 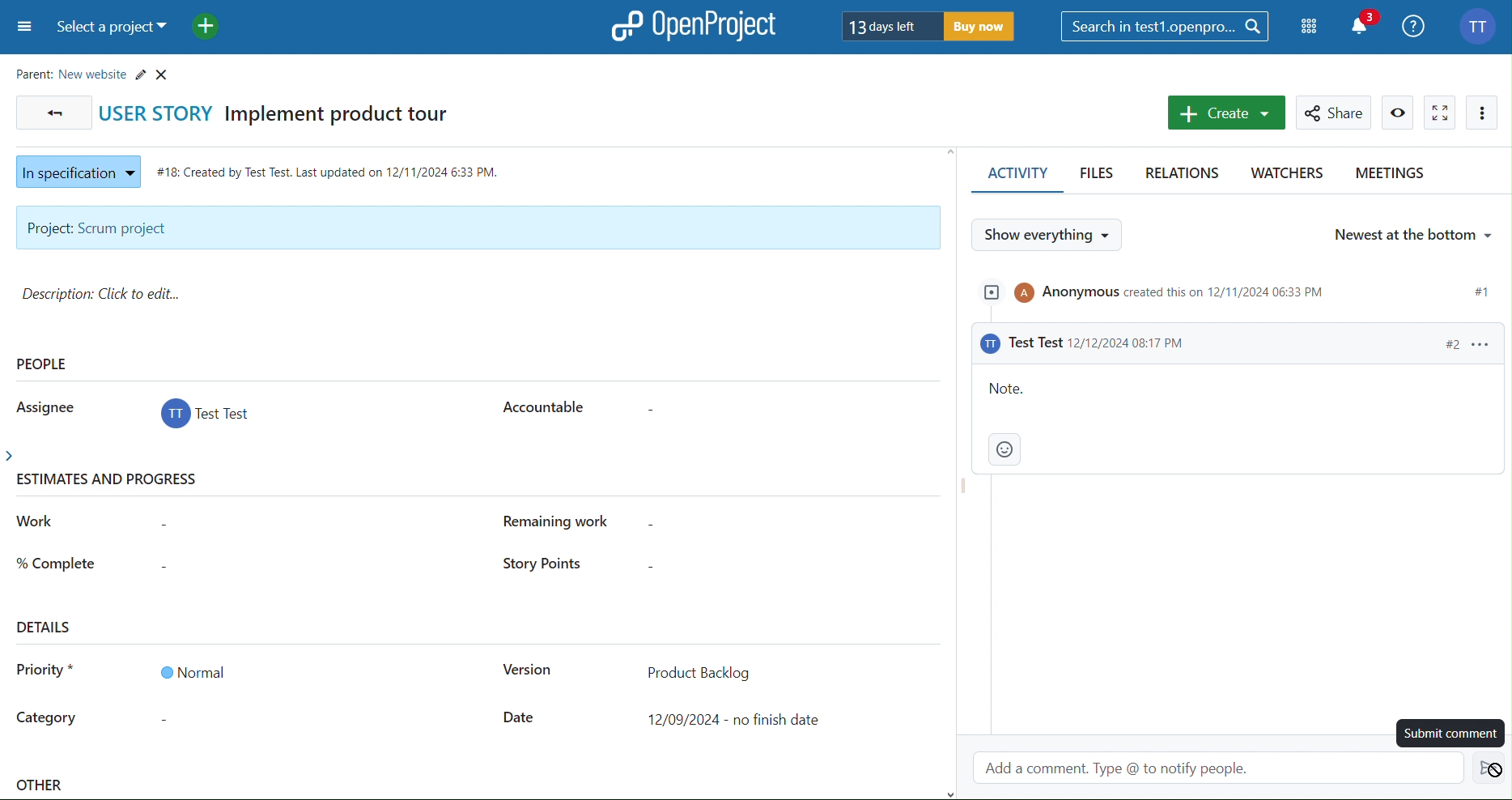 I want to click on Remaining work, so click(x=565, y=521).